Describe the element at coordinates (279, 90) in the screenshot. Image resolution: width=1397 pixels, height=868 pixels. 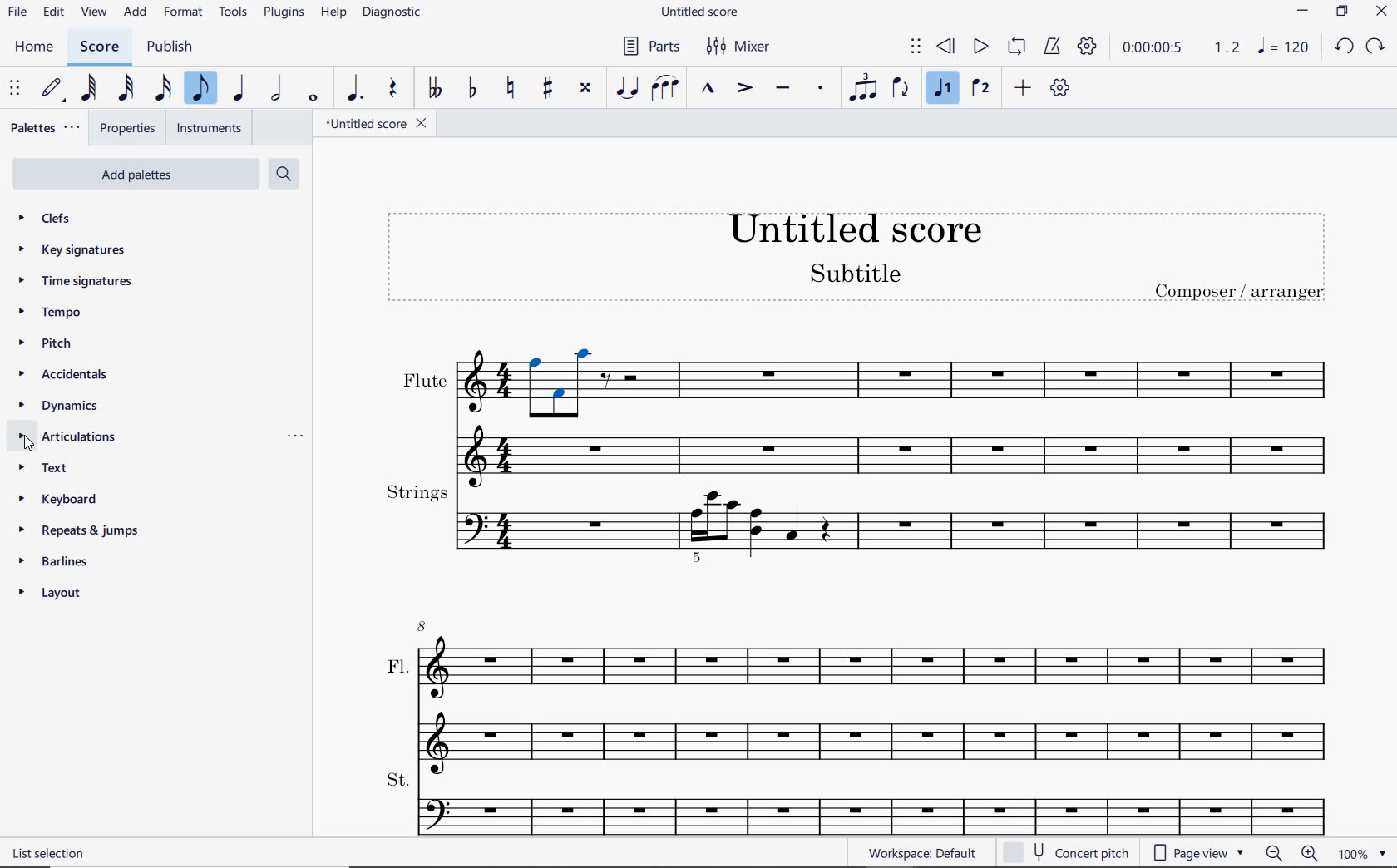
I see `HALF NOTE` at that location.